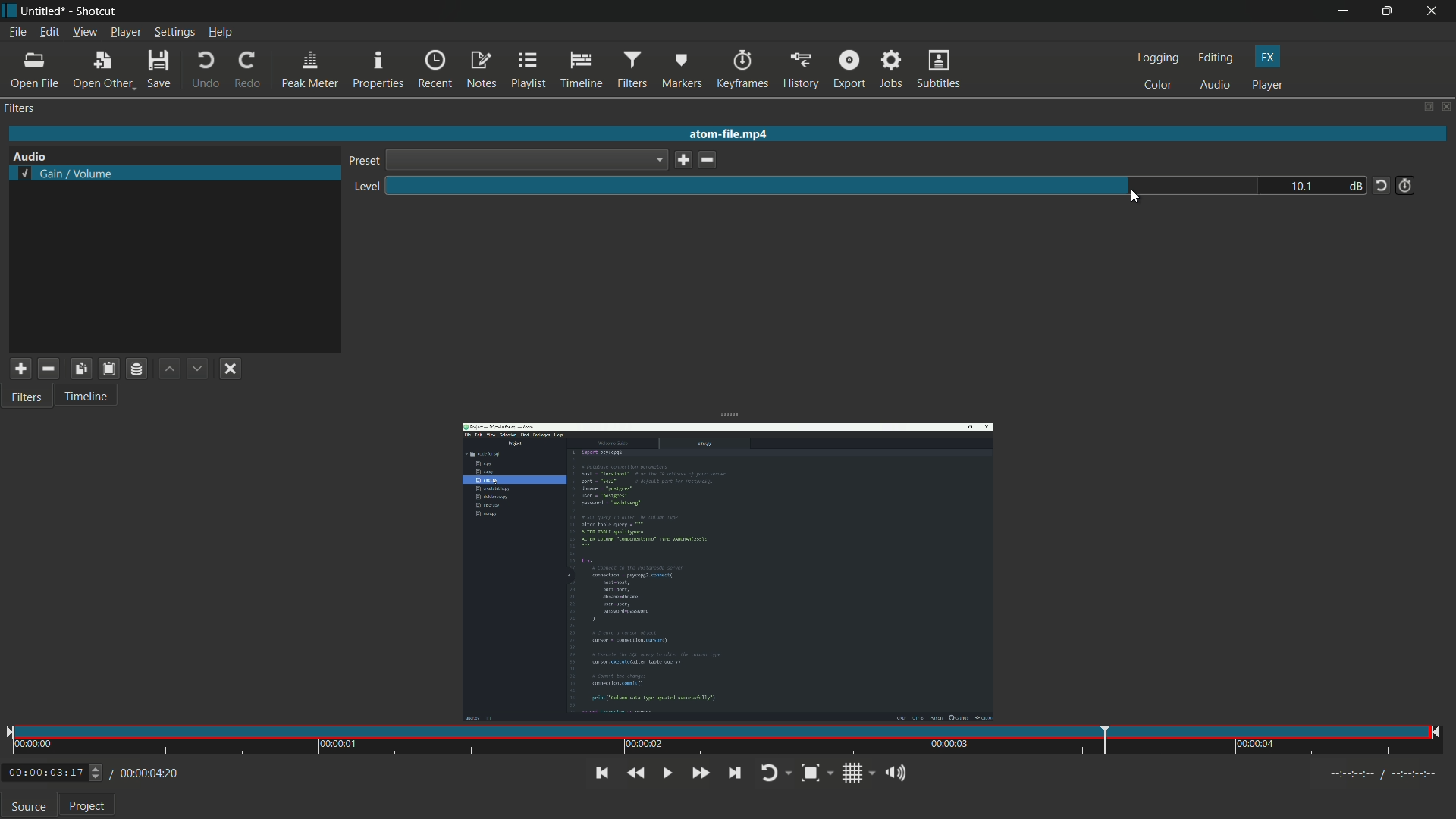 This screenshot has height=819, width=1456. What do you see at coordinates (1423, 106) in the screenshot?
I see `change layout` at bounding box center [1423, 106].